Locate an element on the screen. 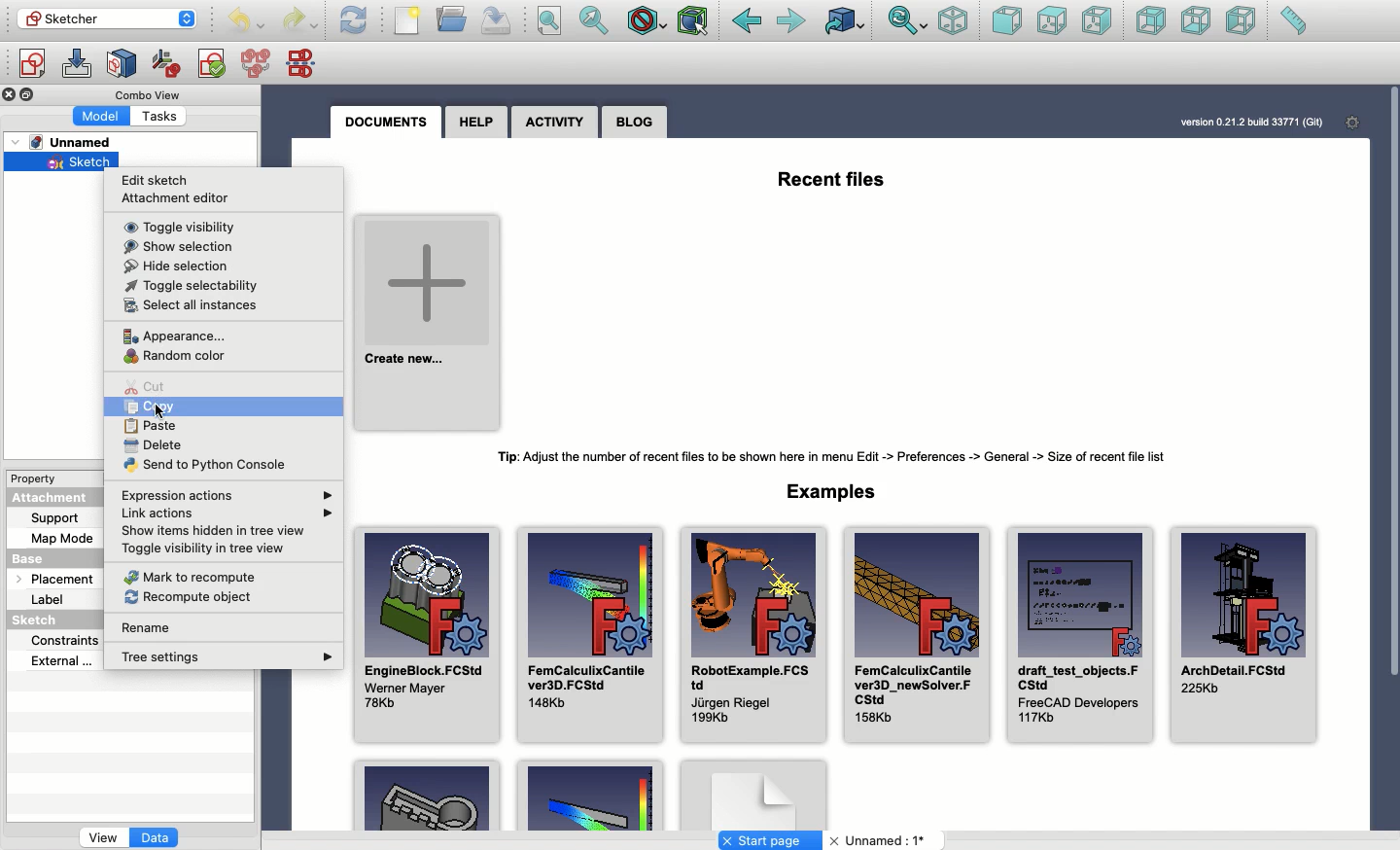 This screenshot has width=1400, height=850. Toggle selectability is located at coordinates (188, 285).